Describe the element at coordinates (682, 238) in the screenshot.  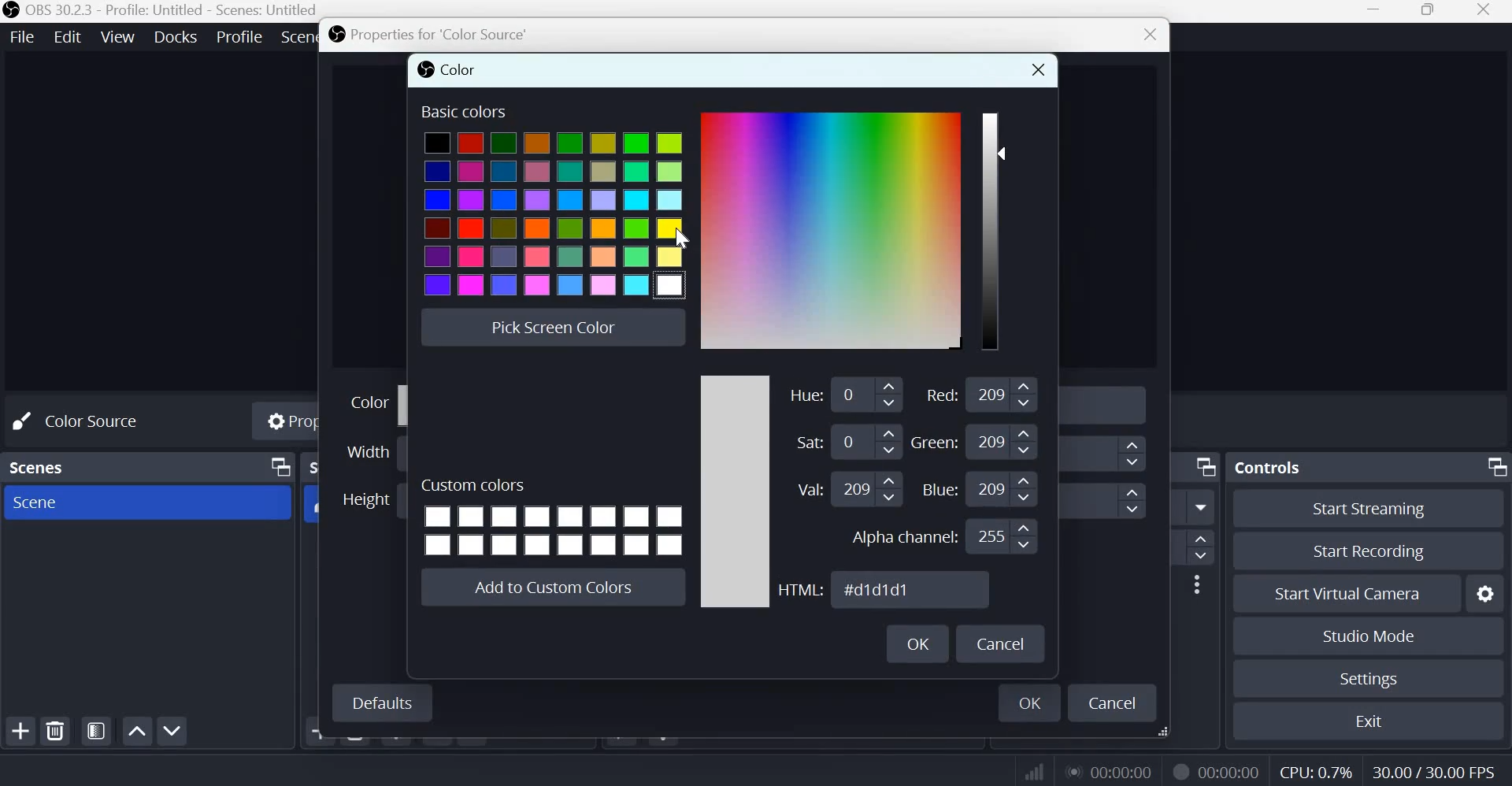
I see `cursor` at that location.